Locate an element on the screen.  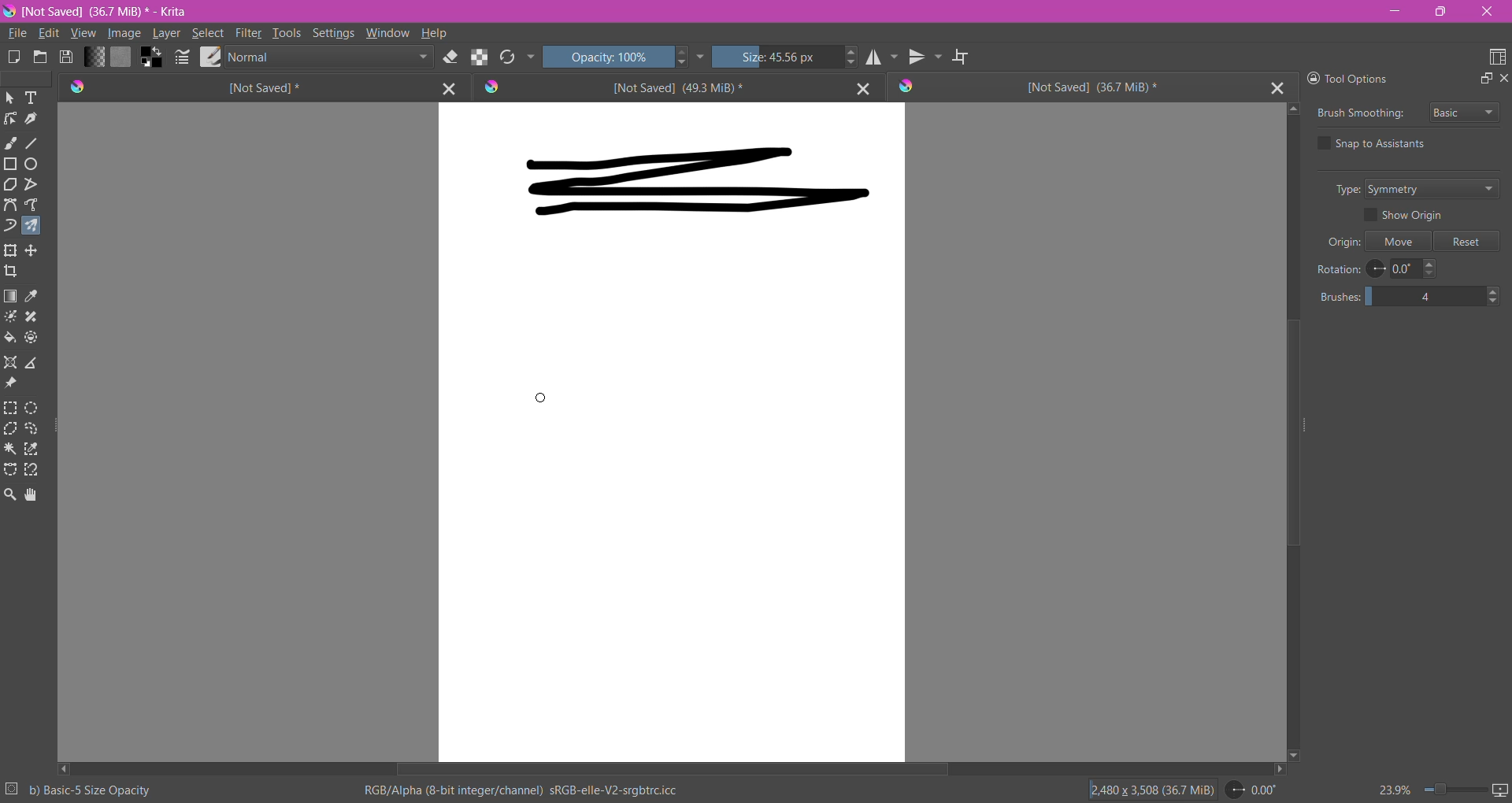
Move is located at coordinates (1400, 242).